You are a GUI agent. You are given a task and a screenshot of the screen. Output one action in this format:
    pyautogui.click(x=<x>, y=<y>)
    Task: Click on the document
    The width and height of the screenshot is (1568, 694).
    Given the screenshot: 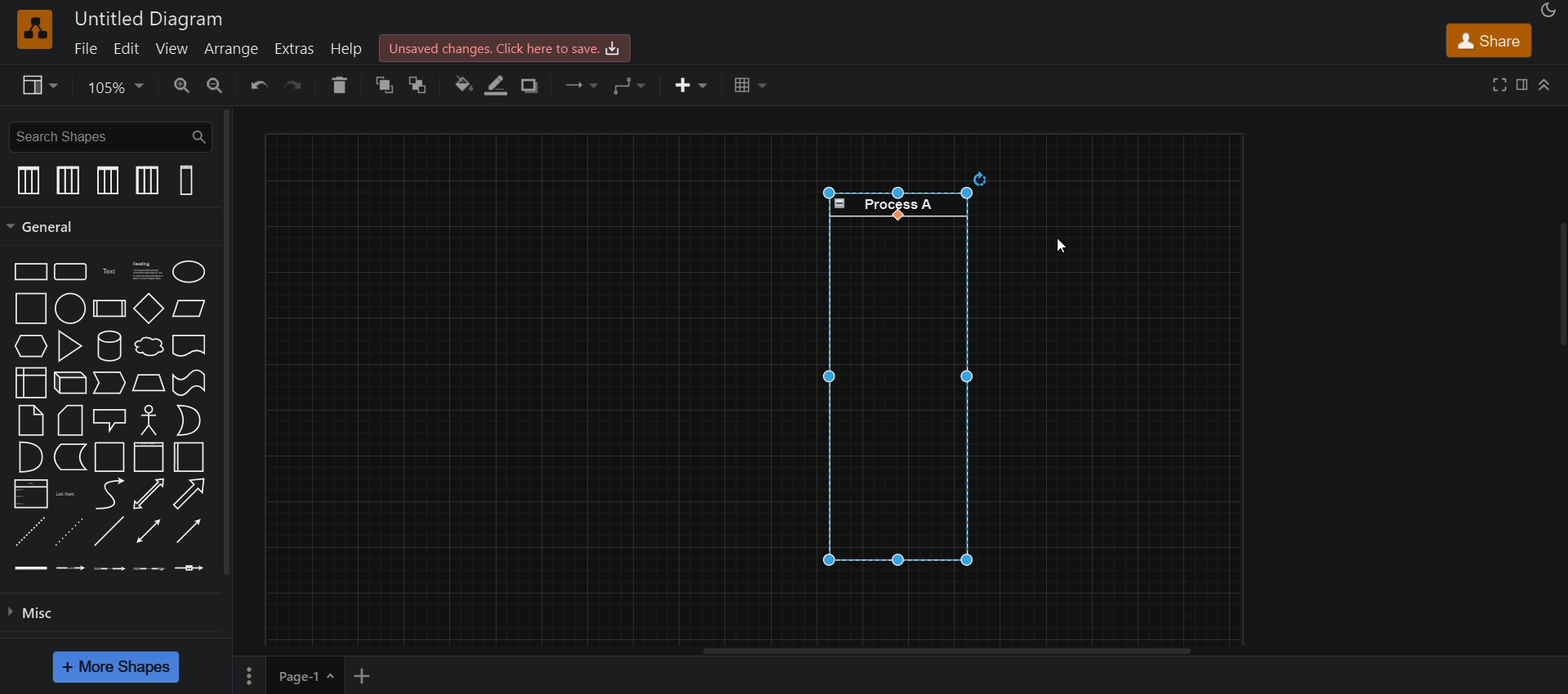 What is the action you would take?
    pyautogui.click(x=191, y=345)
    